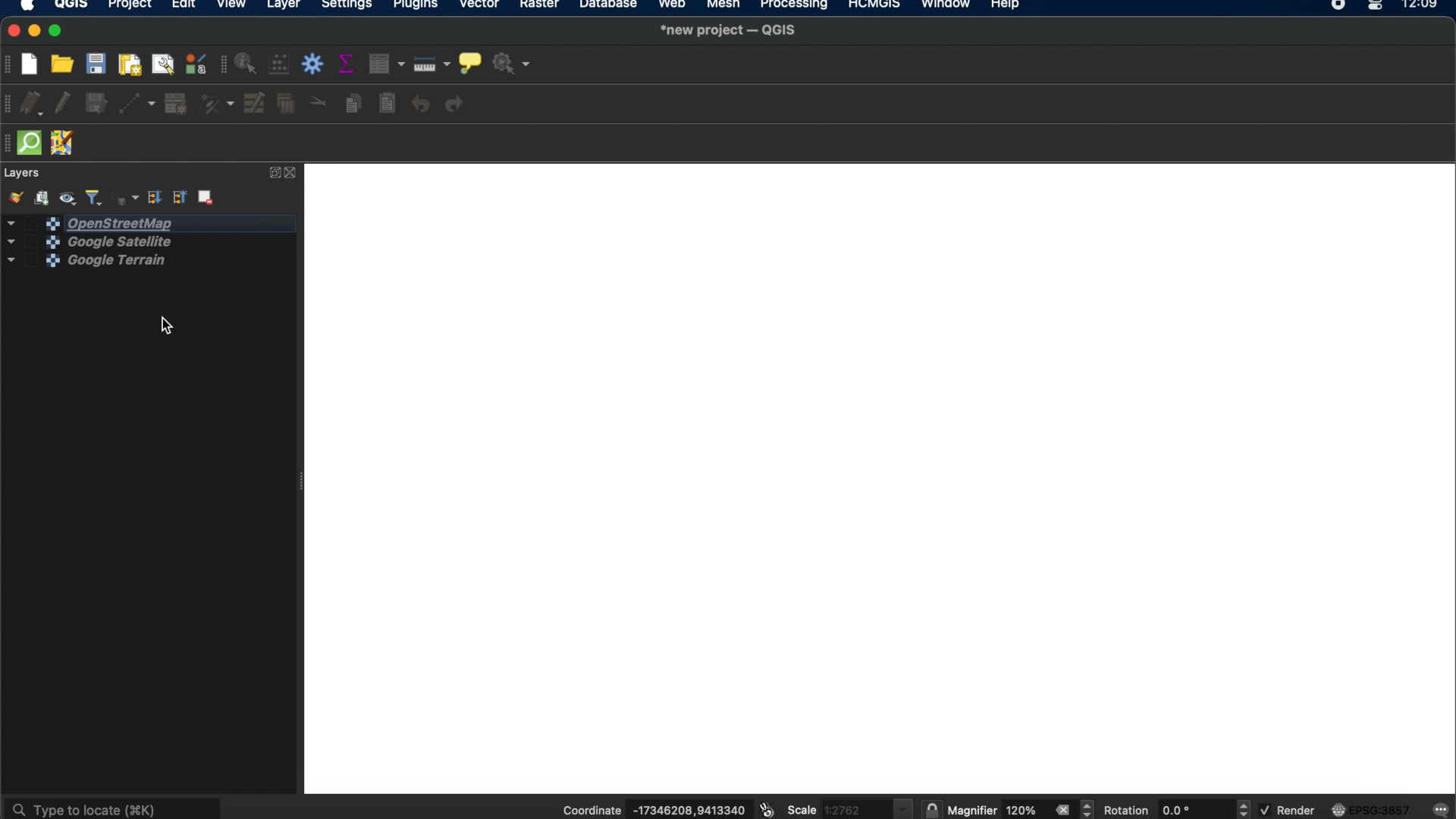  What do you see at coordinates (730, 31) in the screenshot?
I see `*new project-QGIS` at bounding box center [730, 31].